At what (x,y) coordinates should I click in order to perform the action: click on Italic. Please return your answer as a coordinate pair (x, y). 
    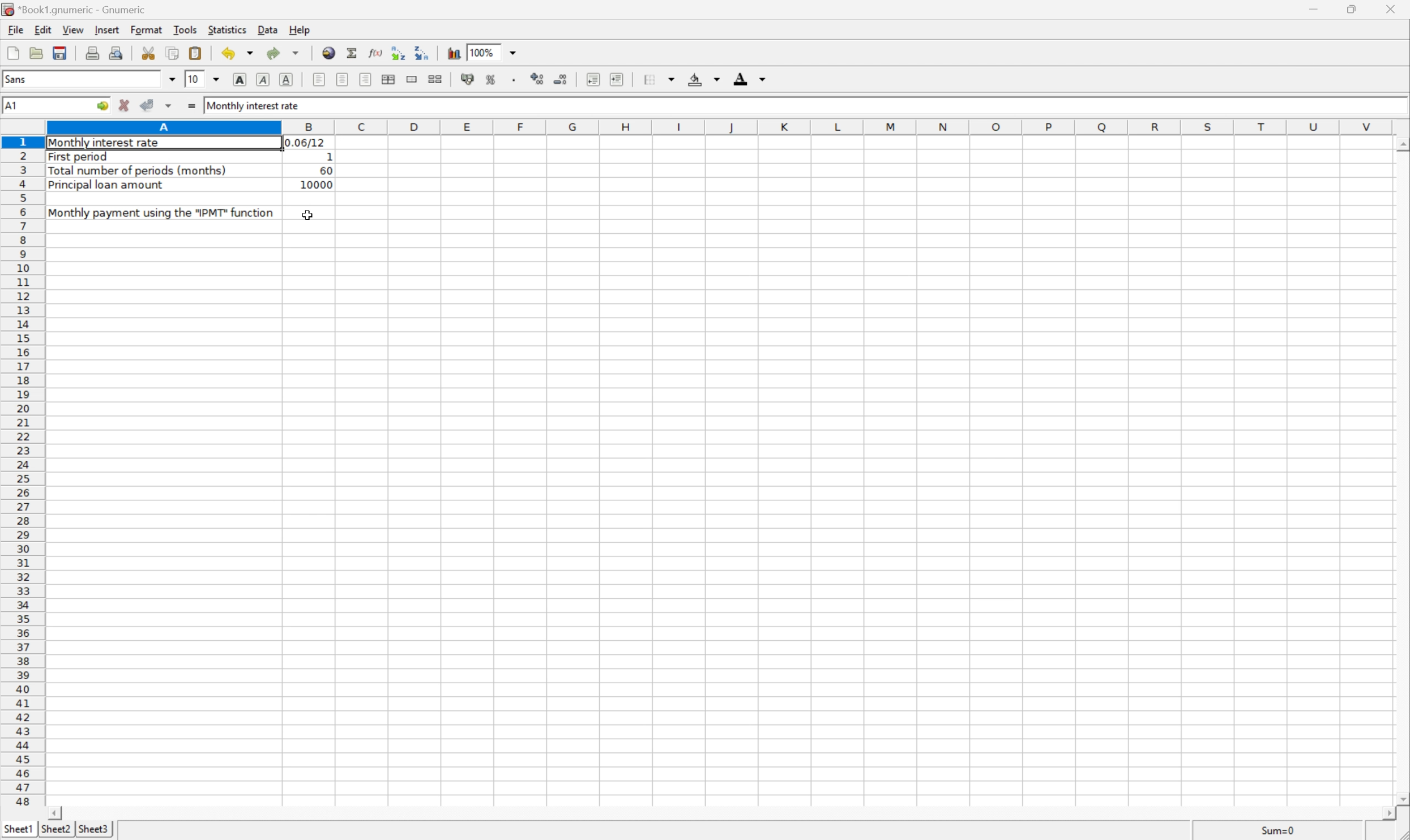
    Looking at the image, I should click on (266, 79).